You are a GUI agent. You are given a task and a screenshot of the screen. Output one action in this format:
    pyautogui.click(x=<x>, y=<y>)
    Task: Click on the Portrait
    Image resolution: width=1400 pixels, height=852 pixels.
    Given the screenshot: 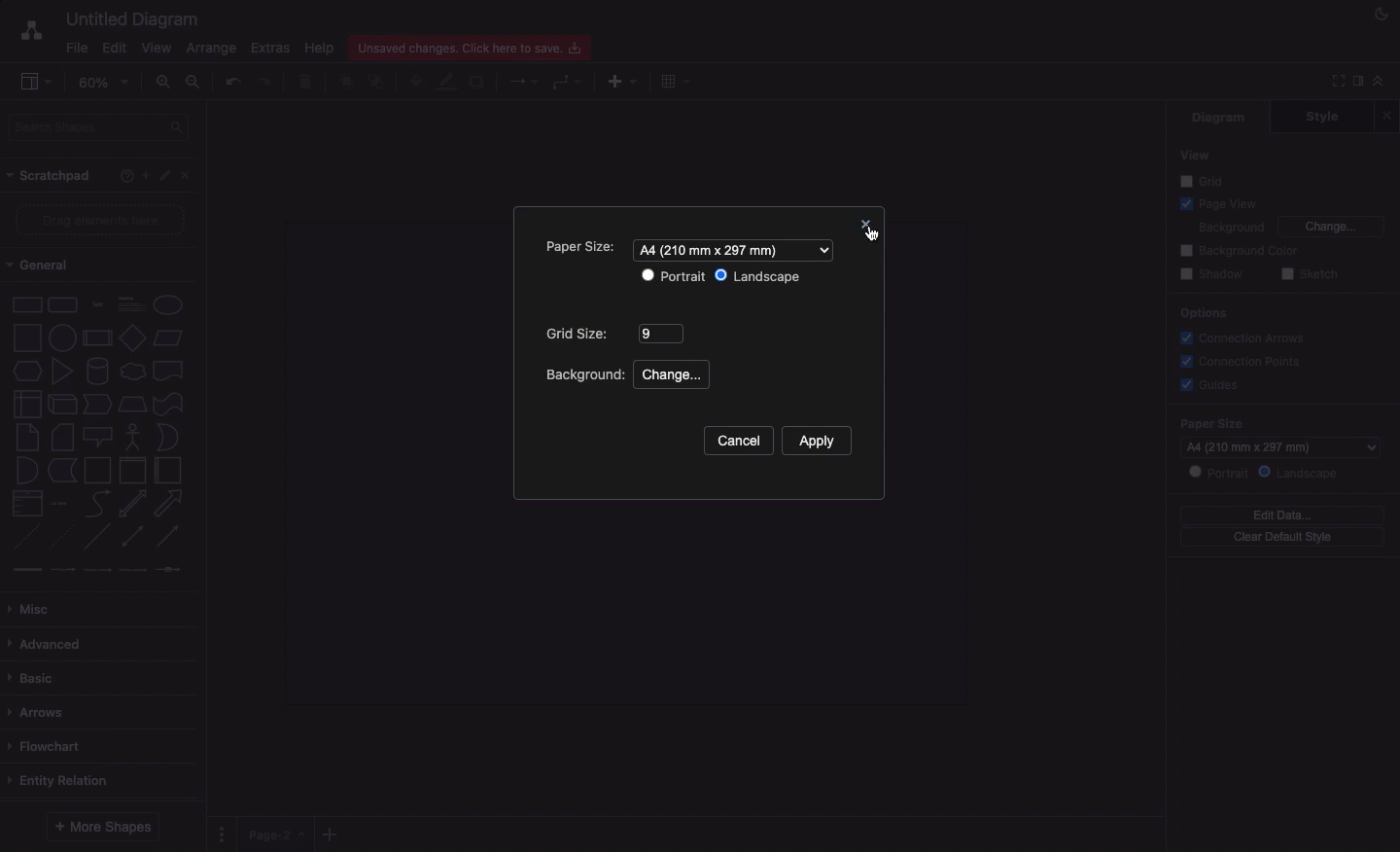 What is the action you would take?
    pyautogui.click(x=674, y=277)
    